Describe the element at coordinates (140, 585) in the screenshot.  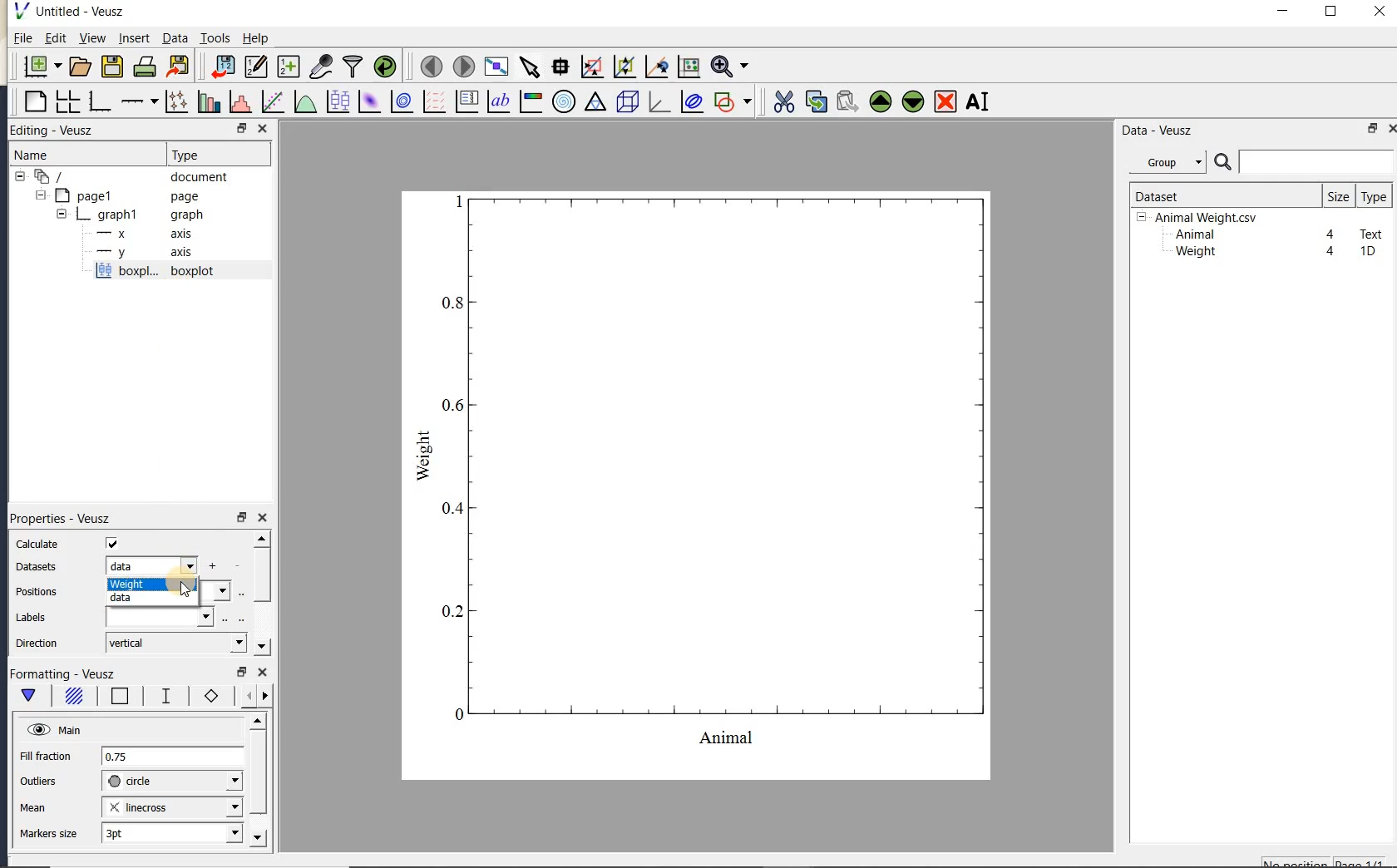
I see `weight` at that location.